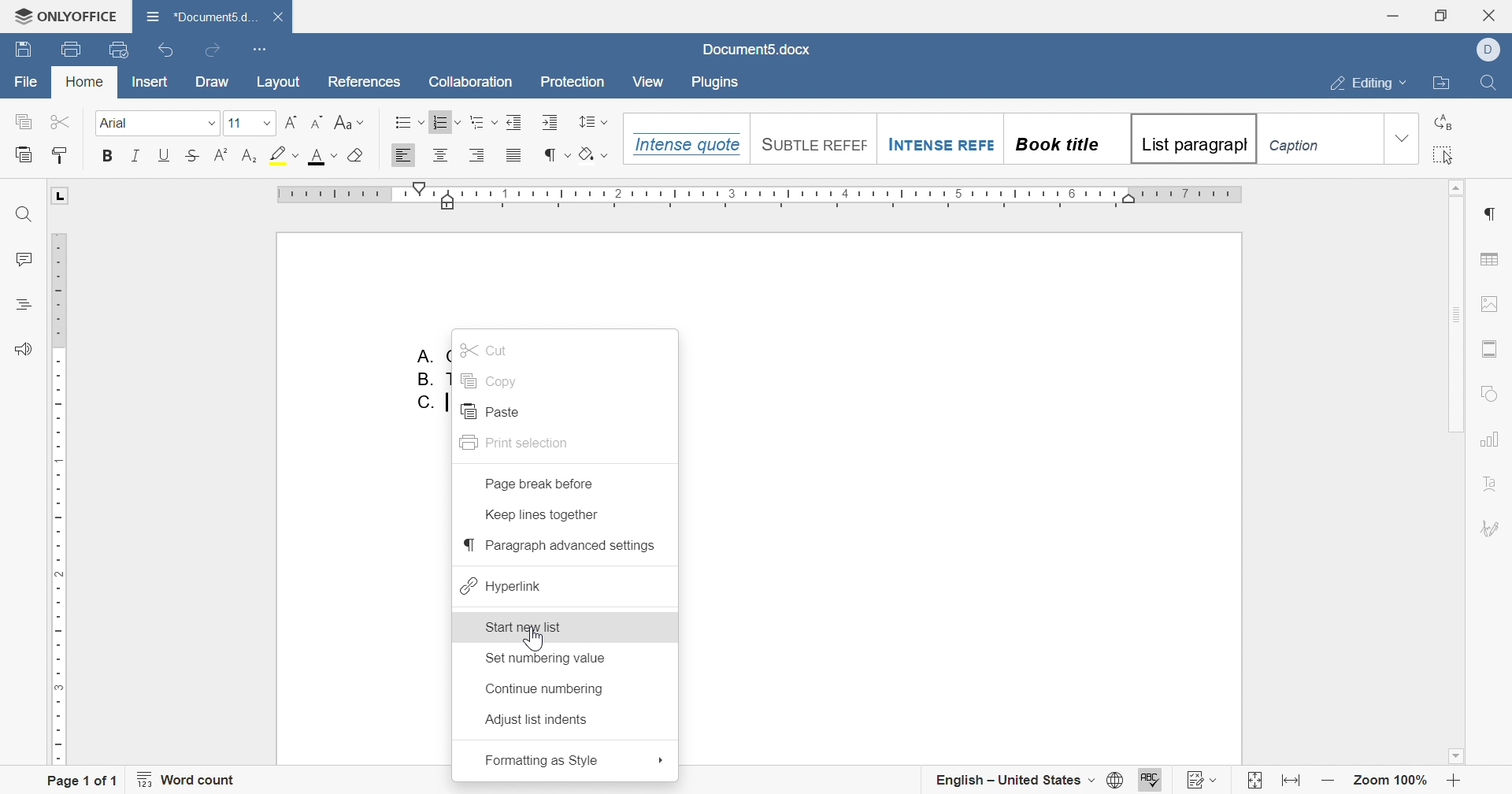 Image resolution: width=1512 pixels, height=794 pixels. Describe the element at coordinates (60, 120) in the screenshot. I see `cut` at that location.